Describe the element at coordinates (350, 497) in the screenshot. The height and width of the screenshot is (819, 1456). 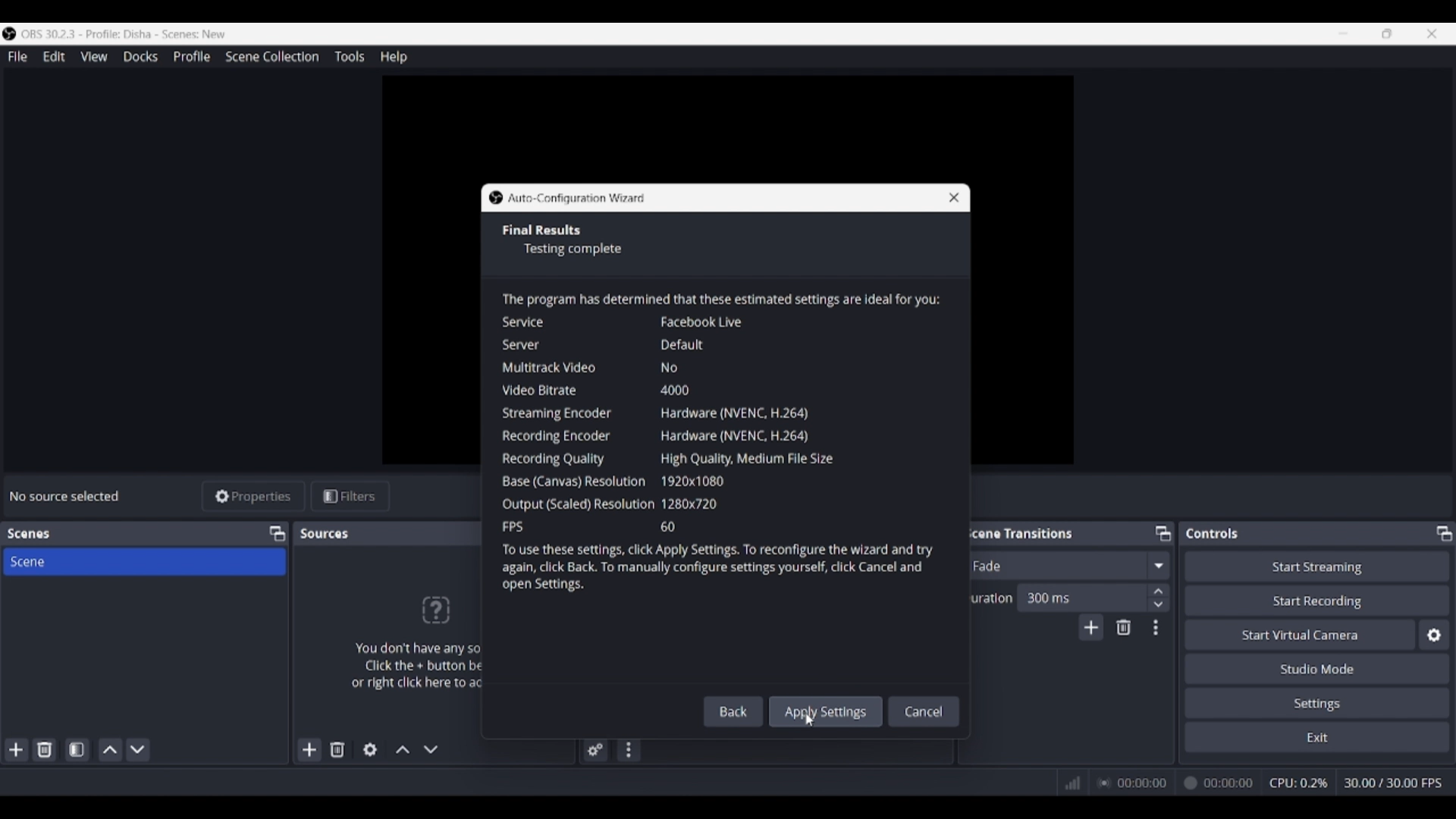
I see `Filters` at that location.